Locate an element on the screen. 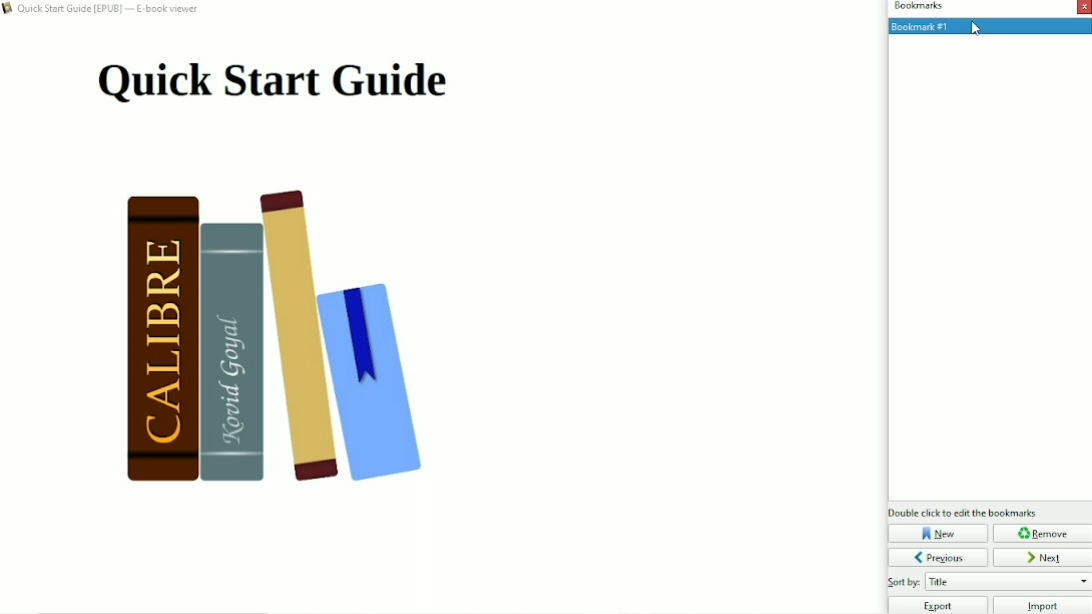  Bookmarks is located at coordinates (922, 7).